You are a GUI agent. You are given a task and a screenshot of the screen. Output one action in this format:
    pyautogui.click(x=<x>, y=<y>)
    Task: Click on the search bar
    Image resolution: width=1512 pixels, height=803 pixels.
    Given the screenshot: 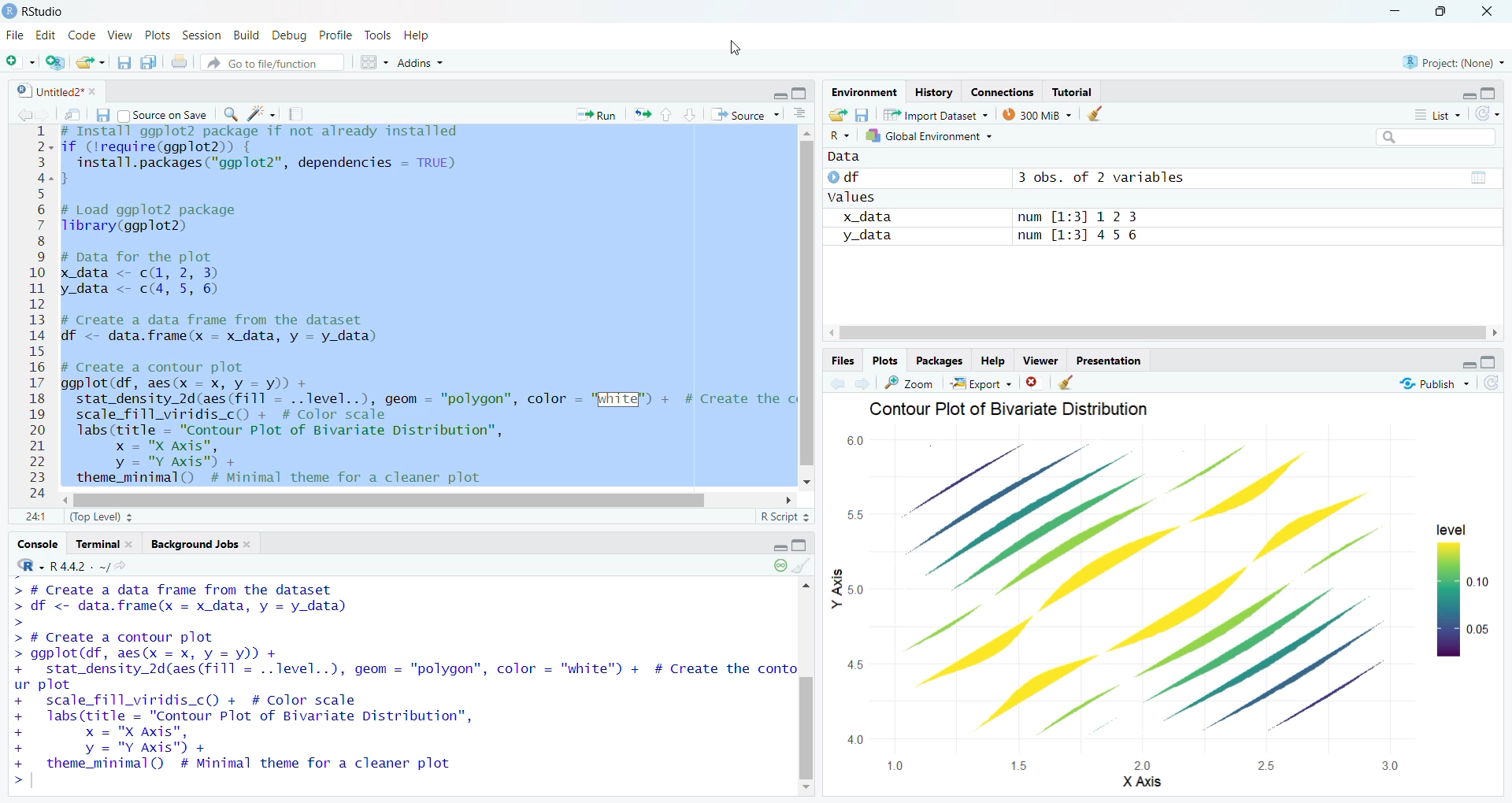 What is the action you would take?
    pyautogui.click(x=1435, y=140)
    